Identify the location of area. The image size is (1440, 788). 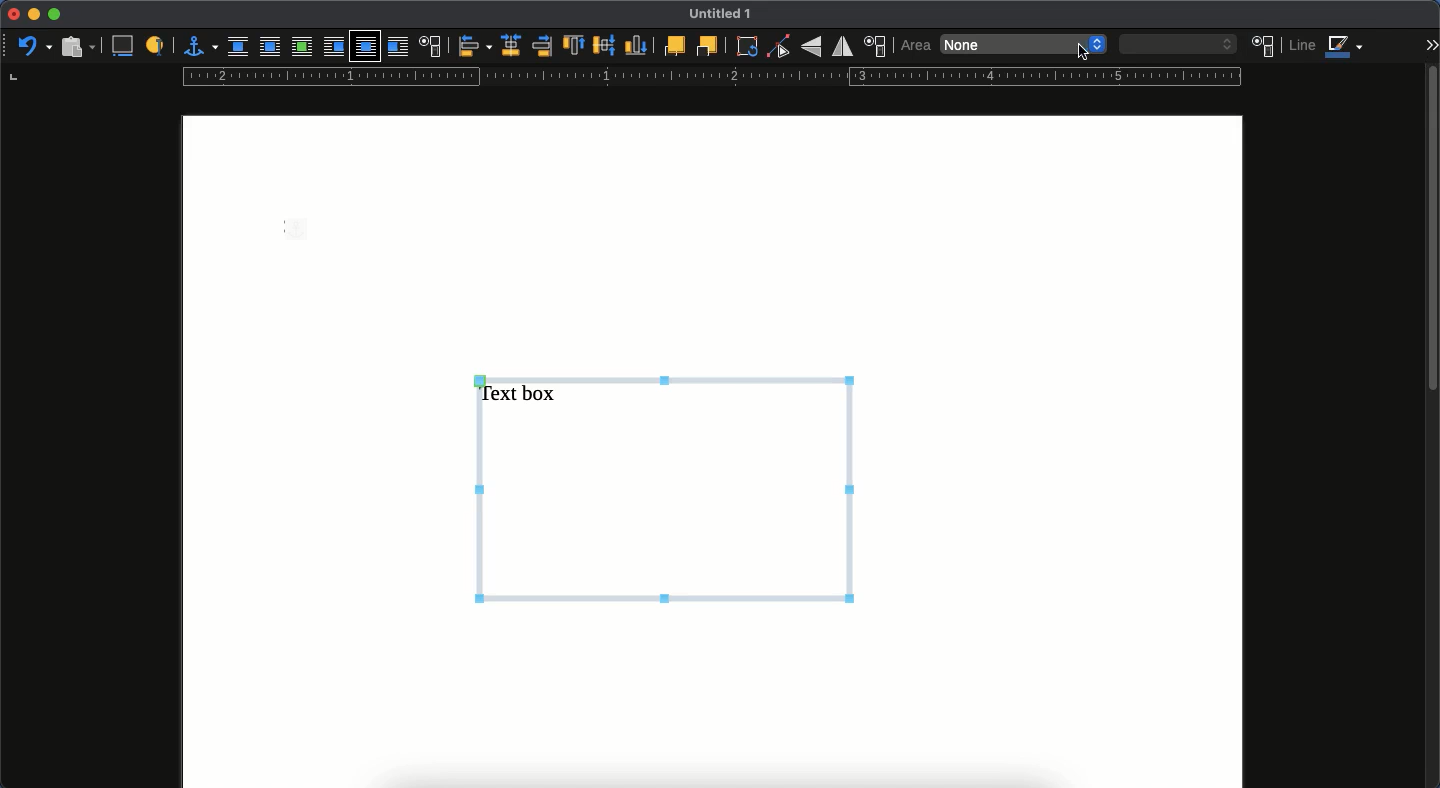
(1264, 45).